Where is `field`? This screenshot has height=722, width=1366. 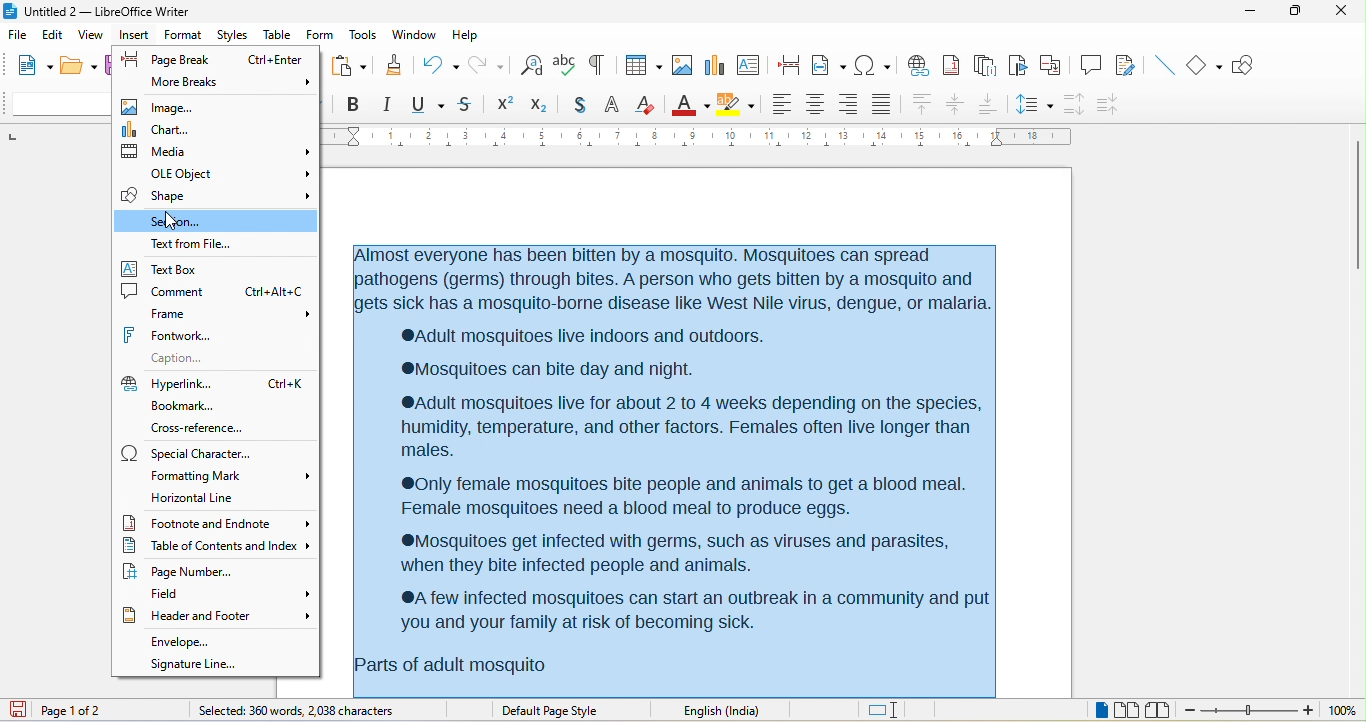 field is located at coordinates (829, 65).